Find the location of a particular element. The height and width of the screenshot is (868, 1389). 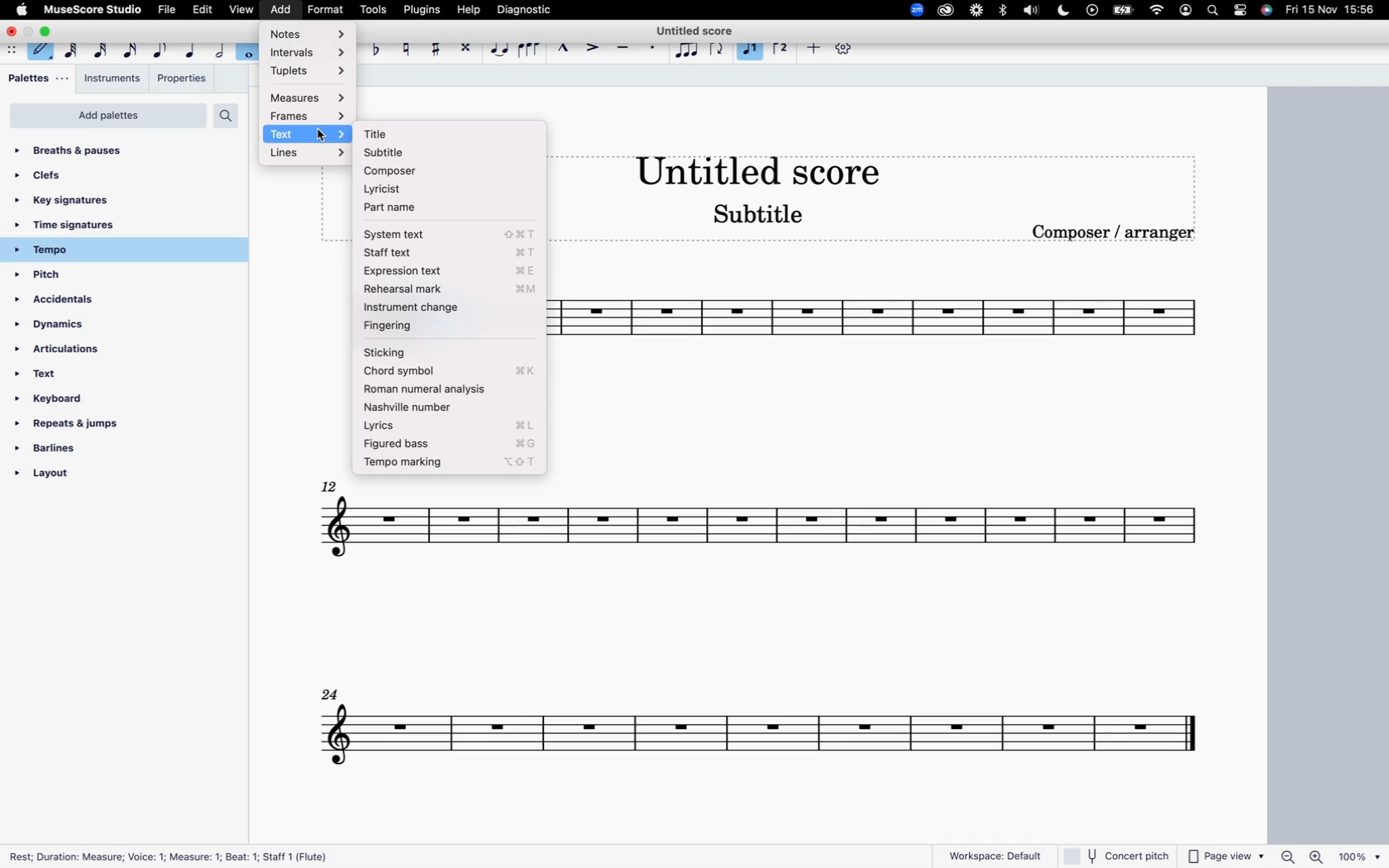

composer is located at coordinates (424, 170).